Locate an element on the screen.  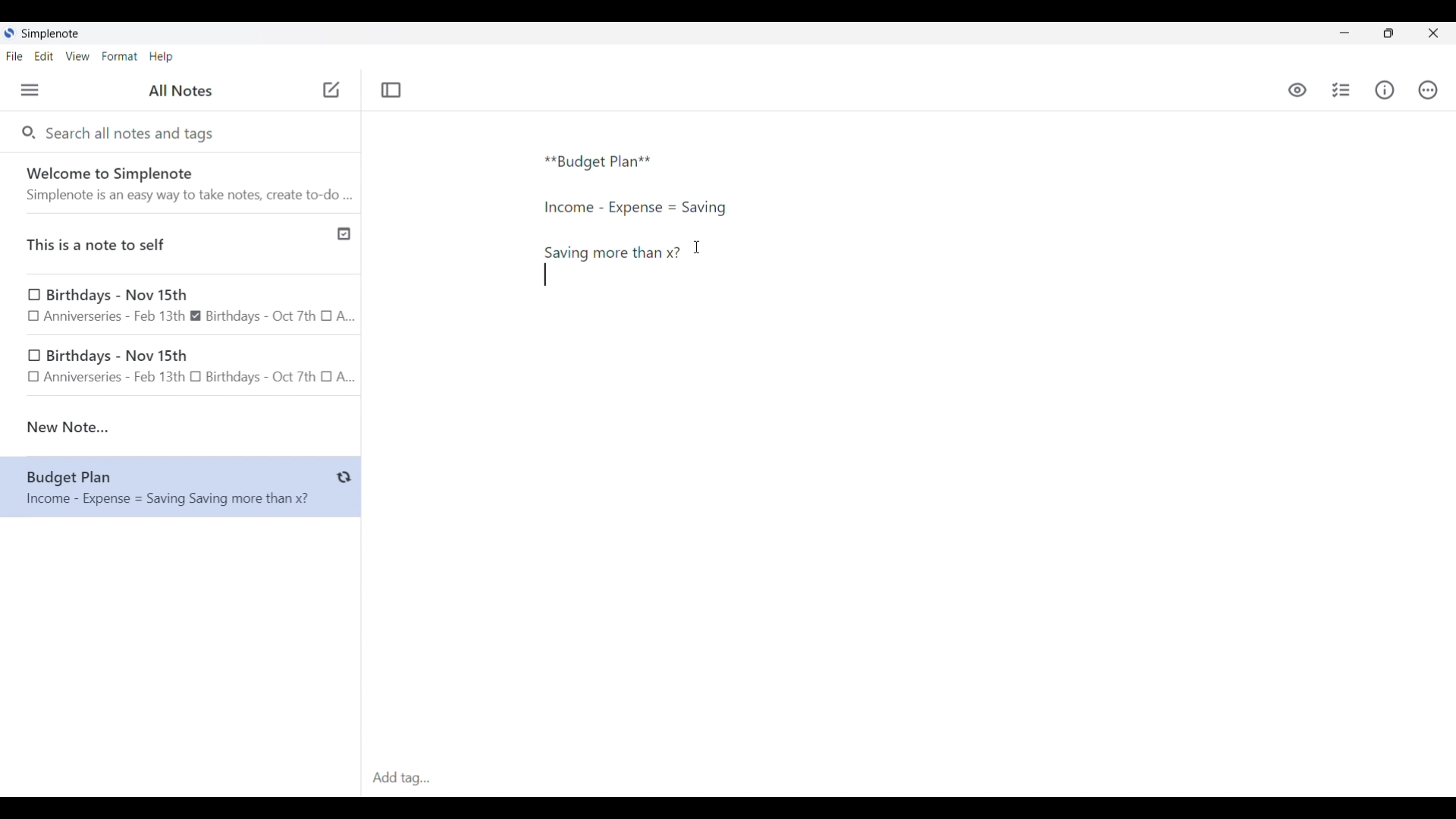
Software welcome note is located at coordinates (184, 183).